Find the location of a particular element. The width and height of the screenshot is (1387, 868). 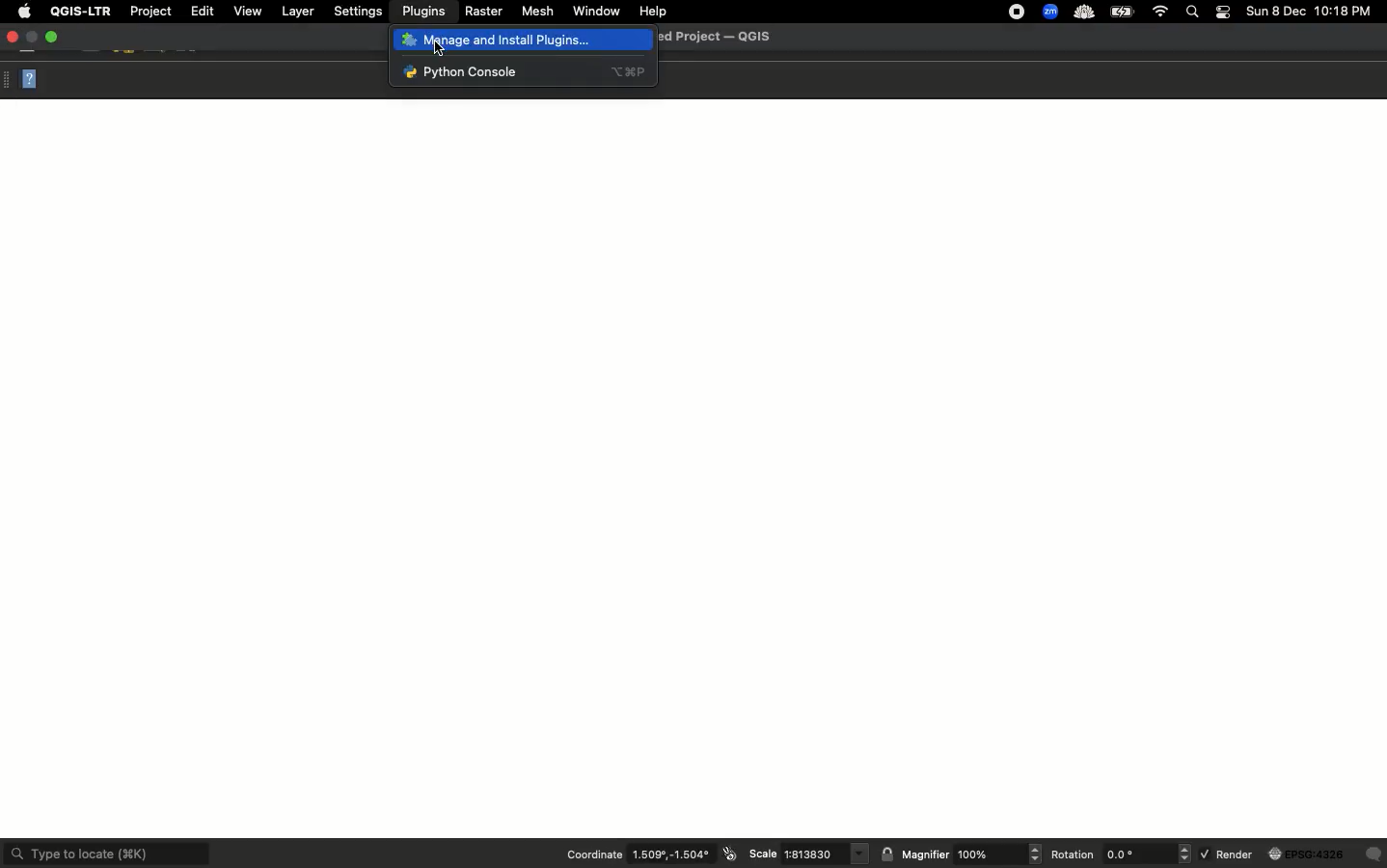

Raster is located at coordinates (484, 12).